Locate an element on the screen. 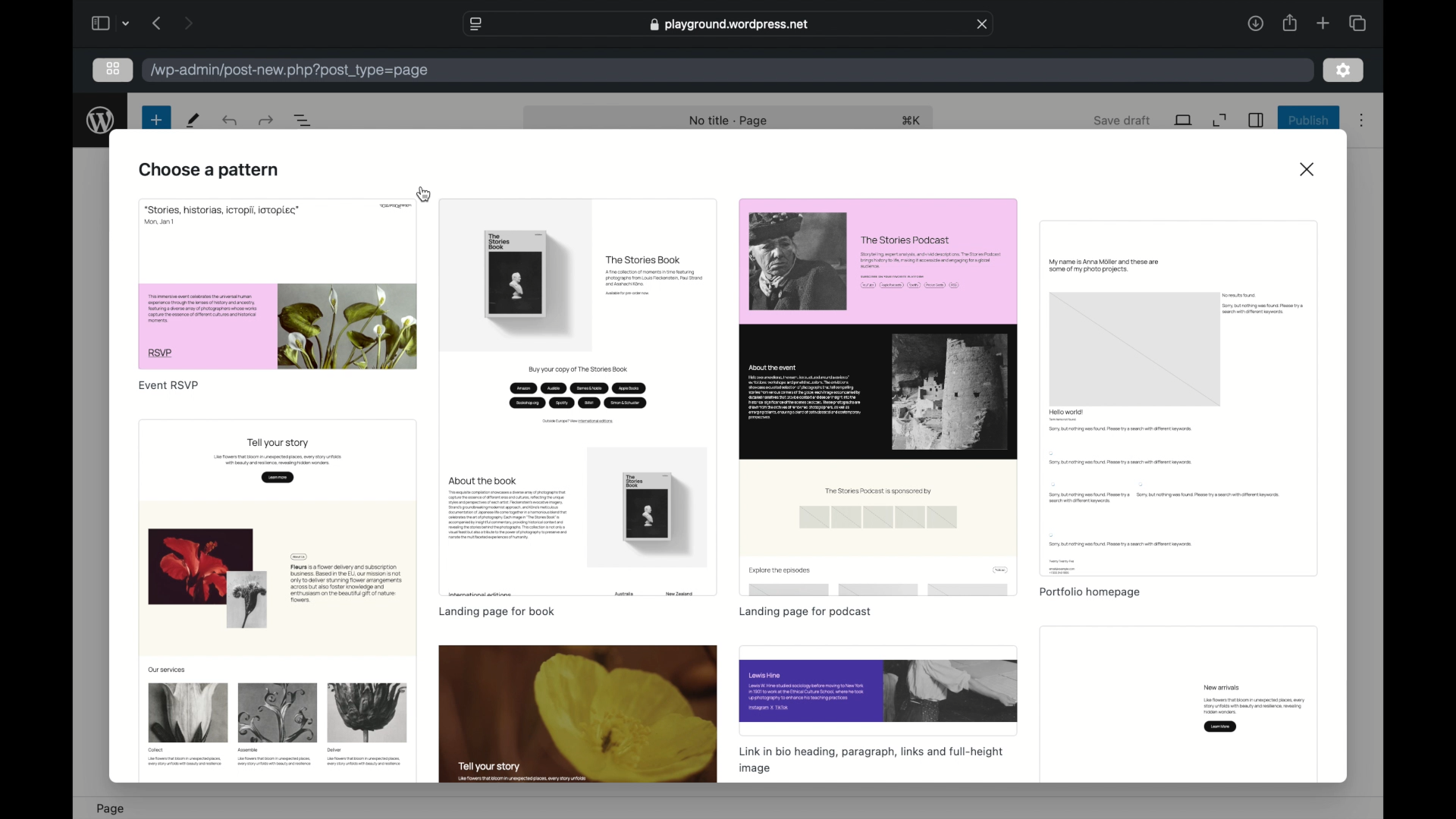 Image resolution: width=1456 pixels, height=819 pixels. preview is located at coordinates (276, 601).